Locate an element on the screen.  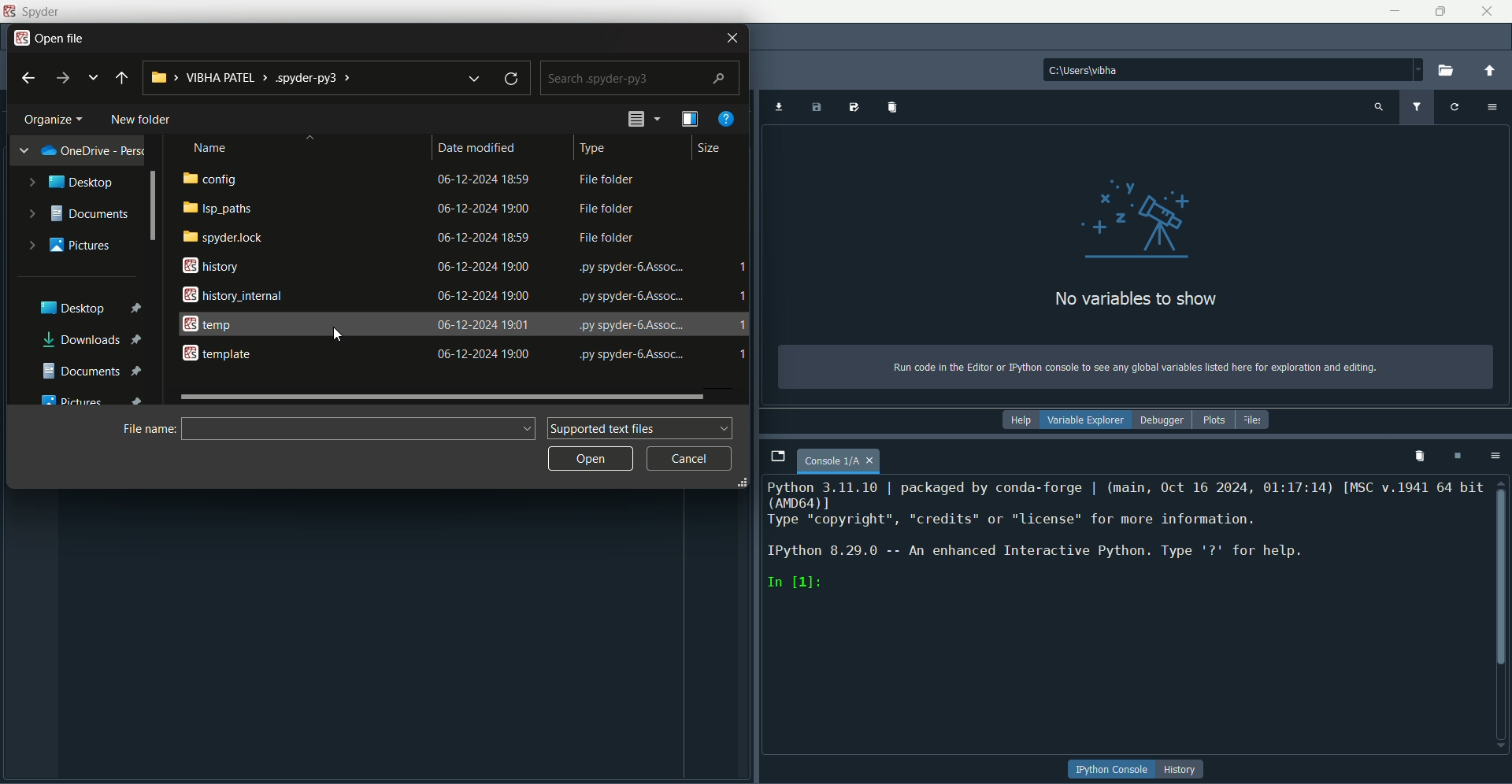
close is located at coordinates (1487, 11).